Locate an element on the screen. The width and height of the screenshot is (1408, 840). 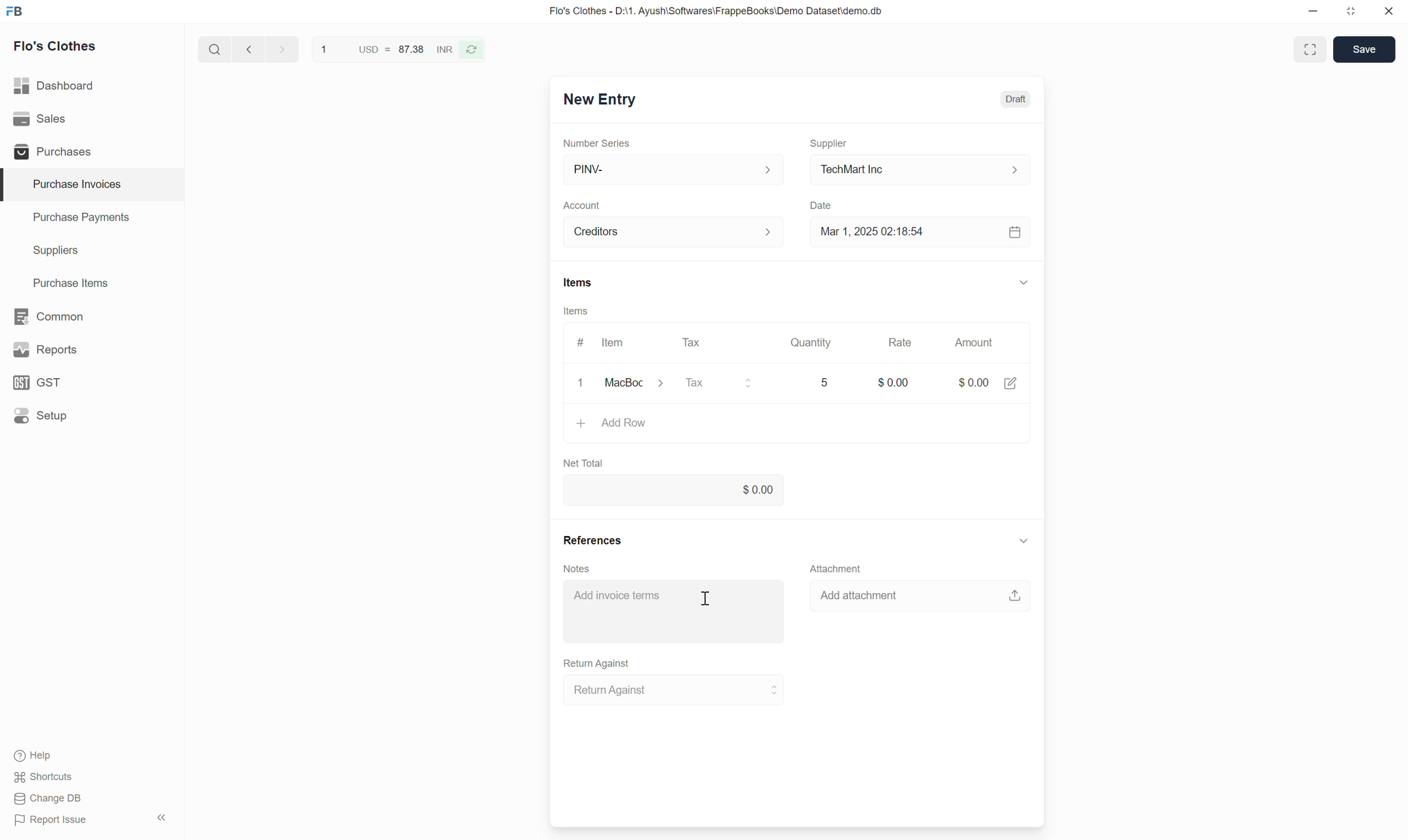
Report Issue is located at coordinates (52, 820).